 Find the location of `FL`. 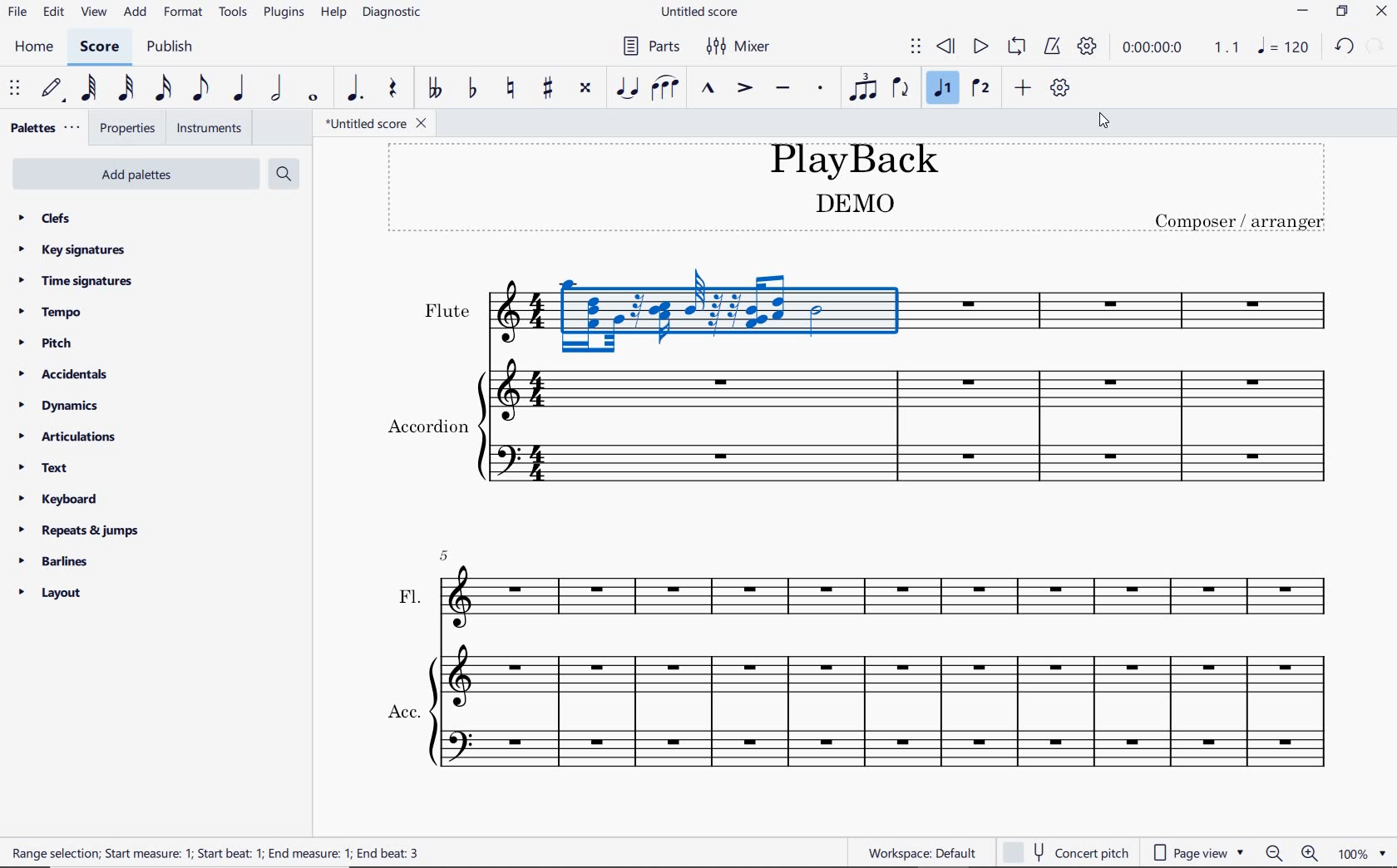

FL is located at coordinates (863, 589).